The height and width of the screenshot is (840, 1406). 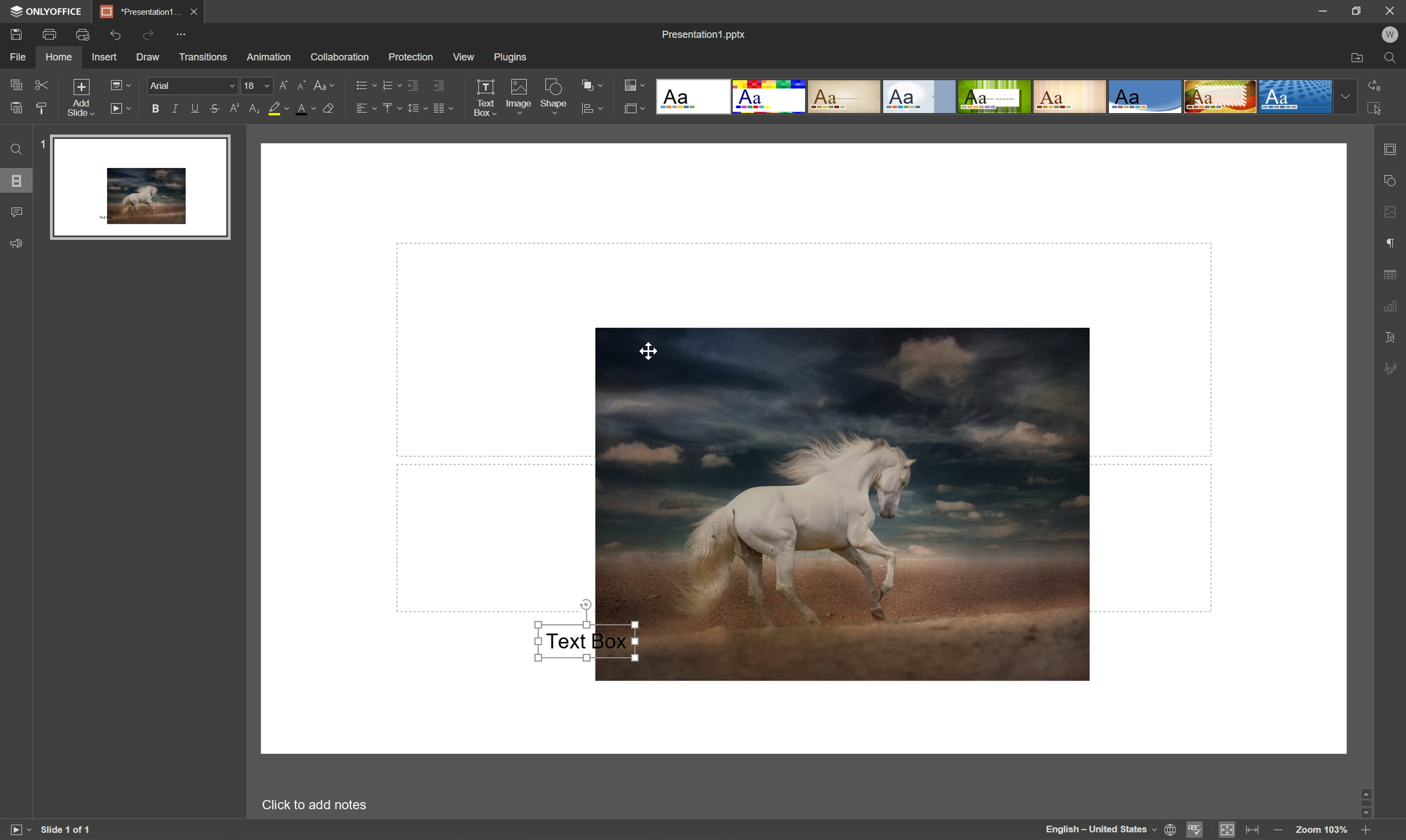 I want to click on Find, so click(x=1391, y=58).